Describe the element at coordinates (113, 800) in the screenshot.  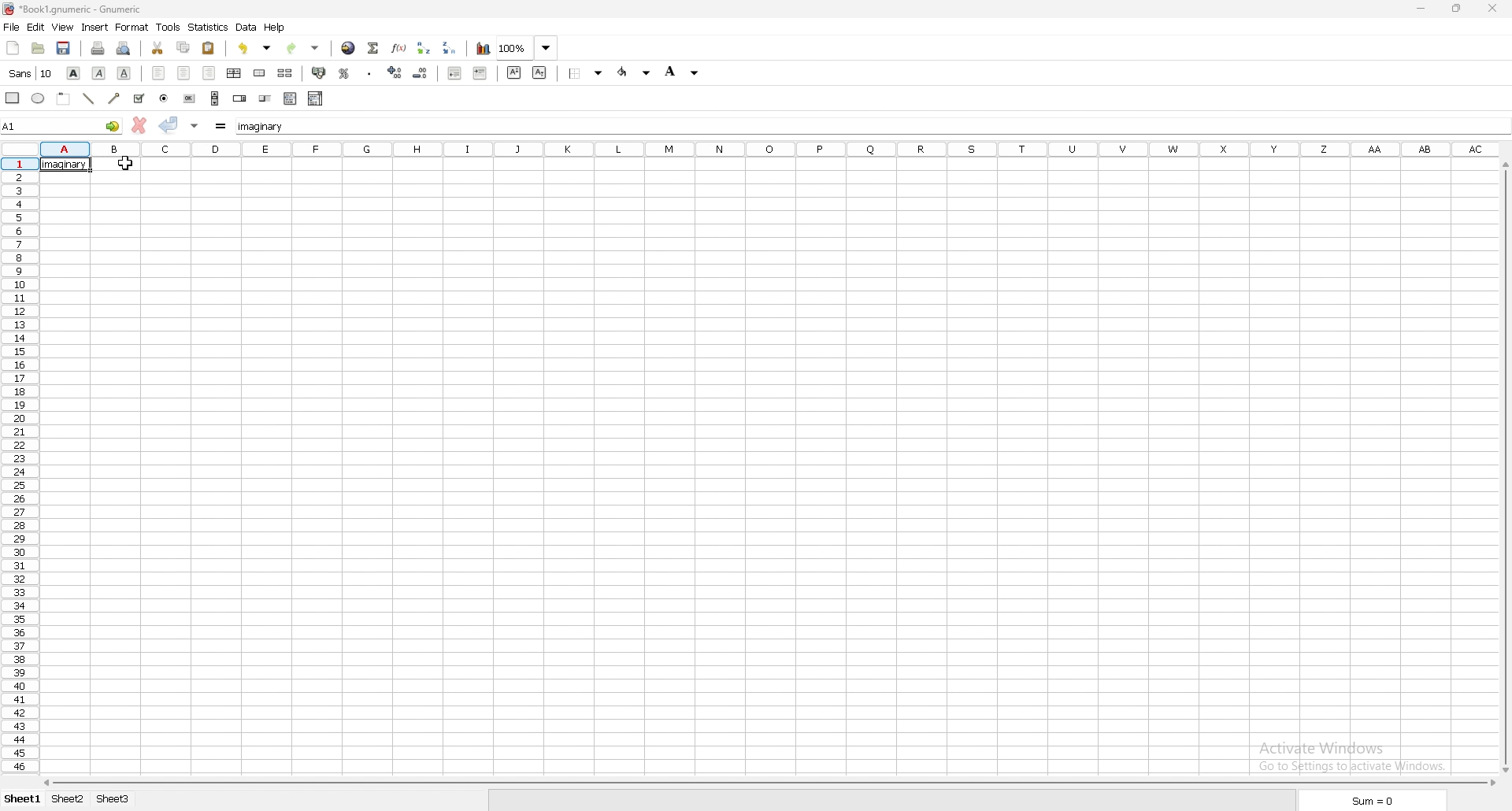
I see `sheet 3` at that location.